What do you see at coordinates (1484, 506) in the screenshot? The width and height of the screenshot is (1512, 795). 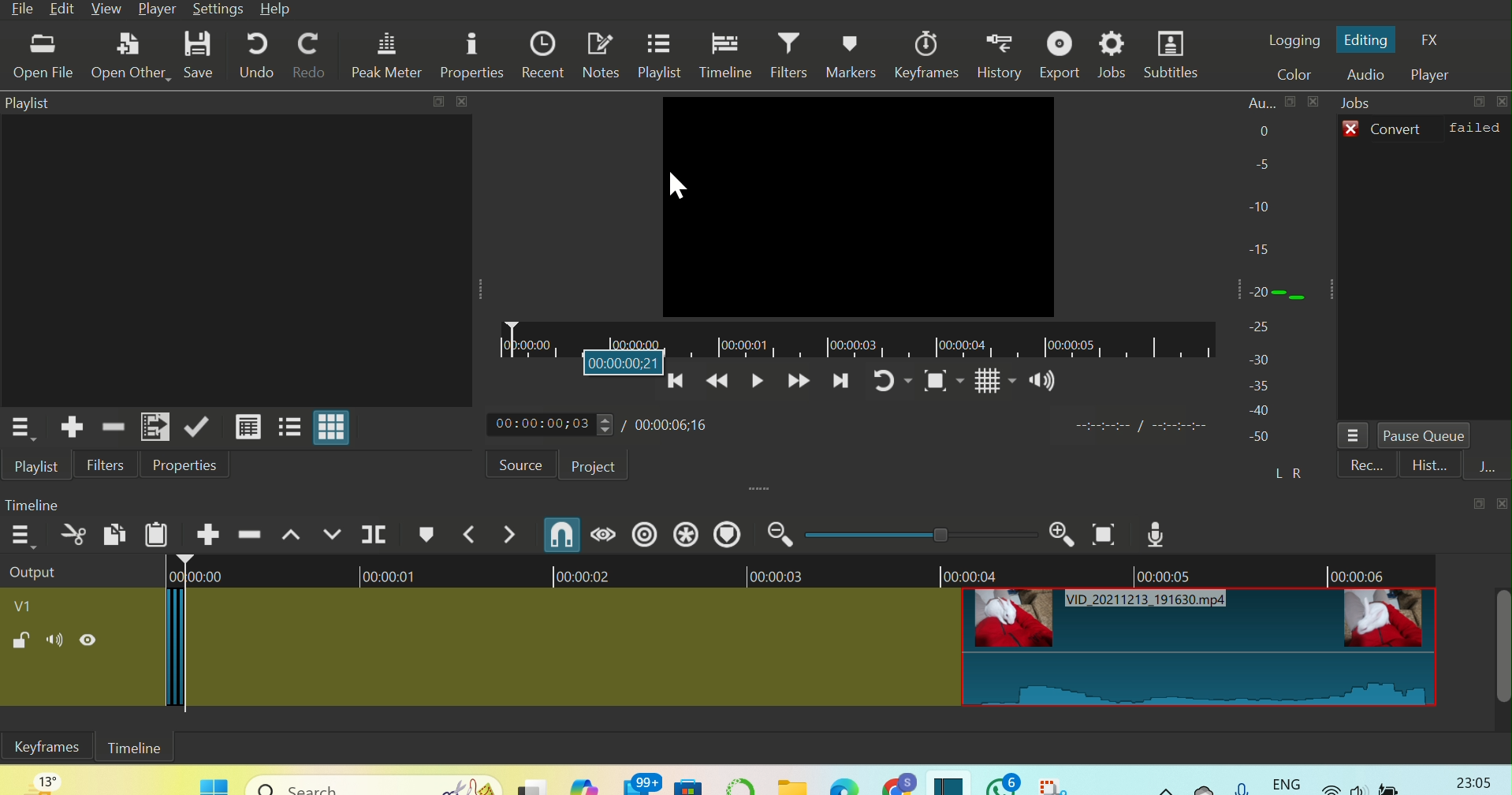 I see `Close button` at bounding box center [1484, 506].